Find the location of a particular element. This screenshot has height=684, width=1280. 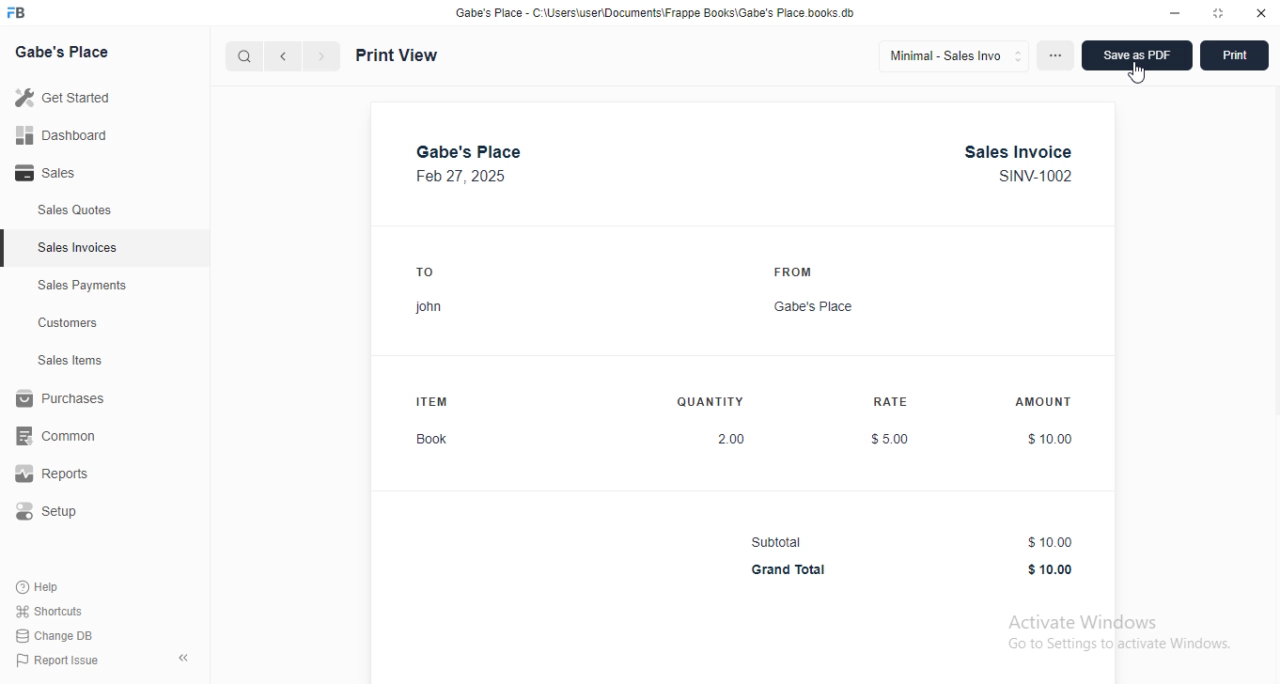

SINV-1002 is located at coordinates (1035, 176).